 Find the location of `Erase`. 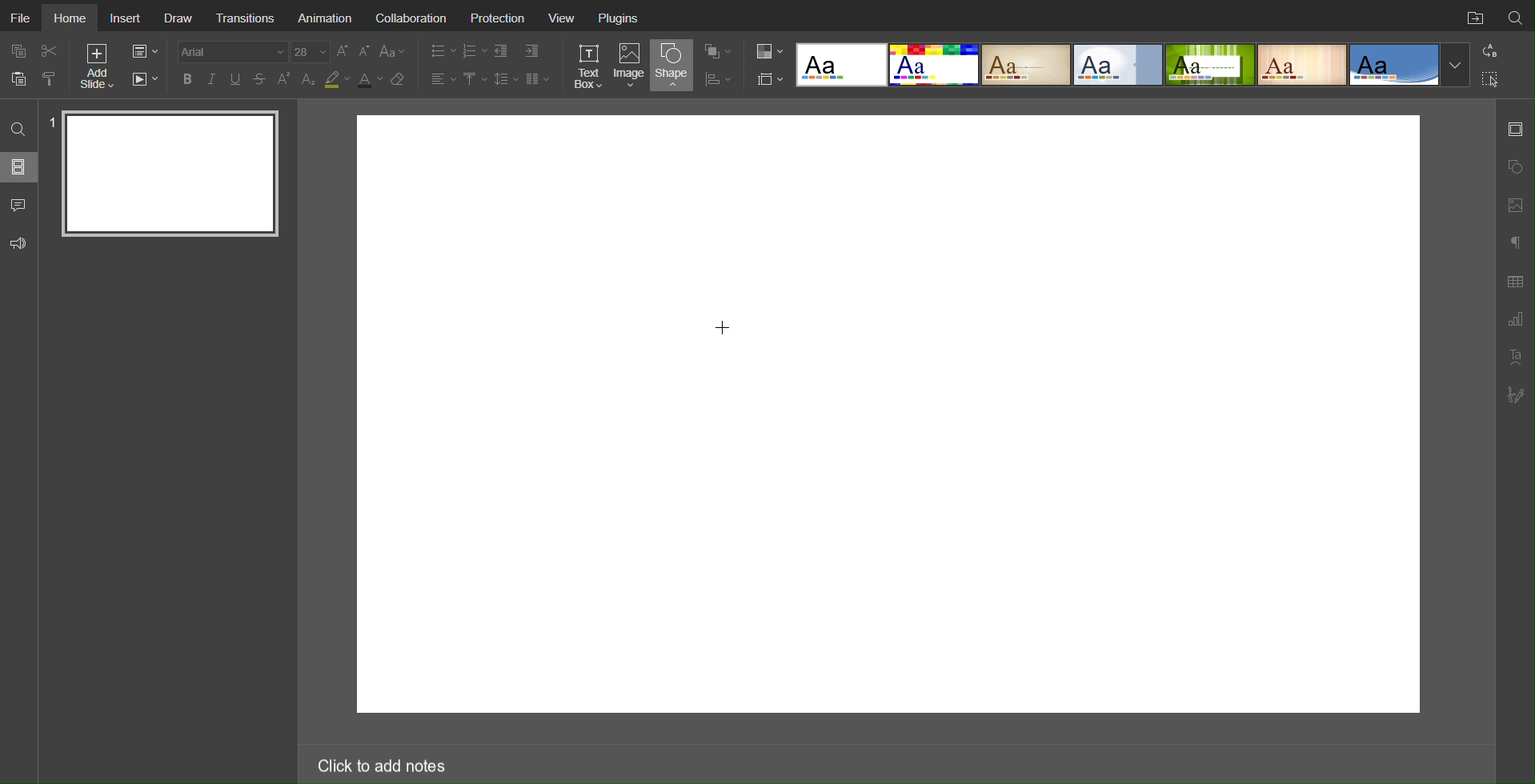

Erase is located at coordinates (401, 80).